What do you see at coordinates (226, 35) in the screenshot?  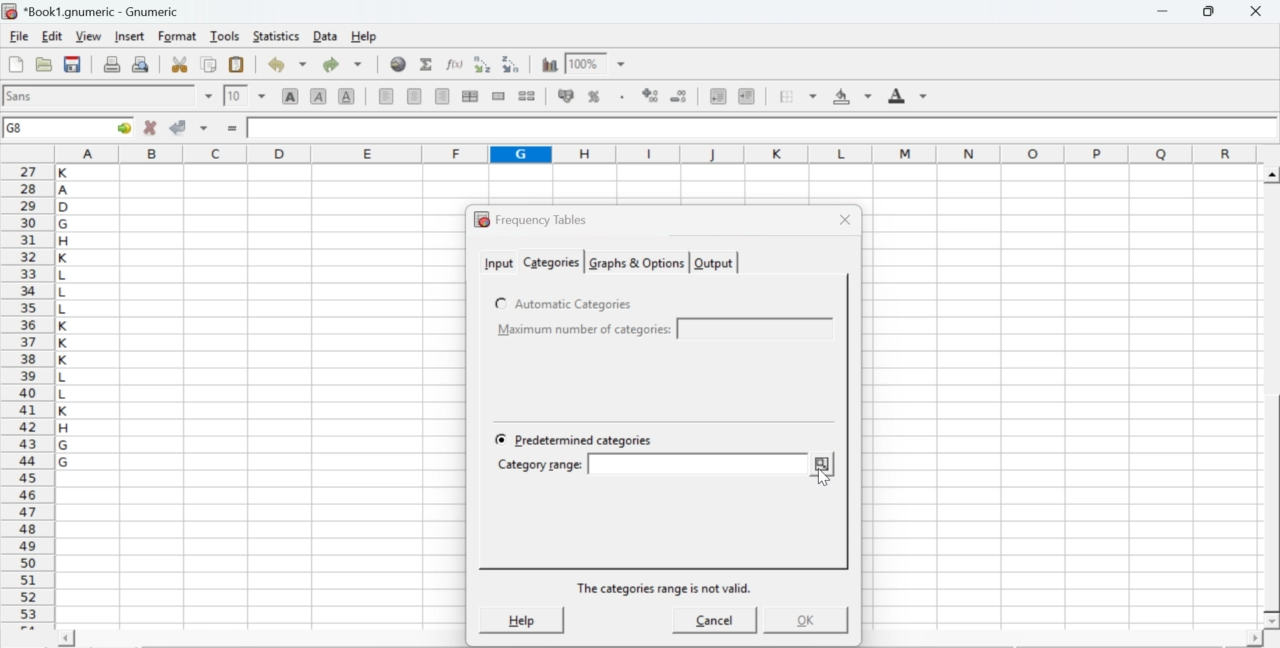 I see `tools` at bounding box center [226, 35].